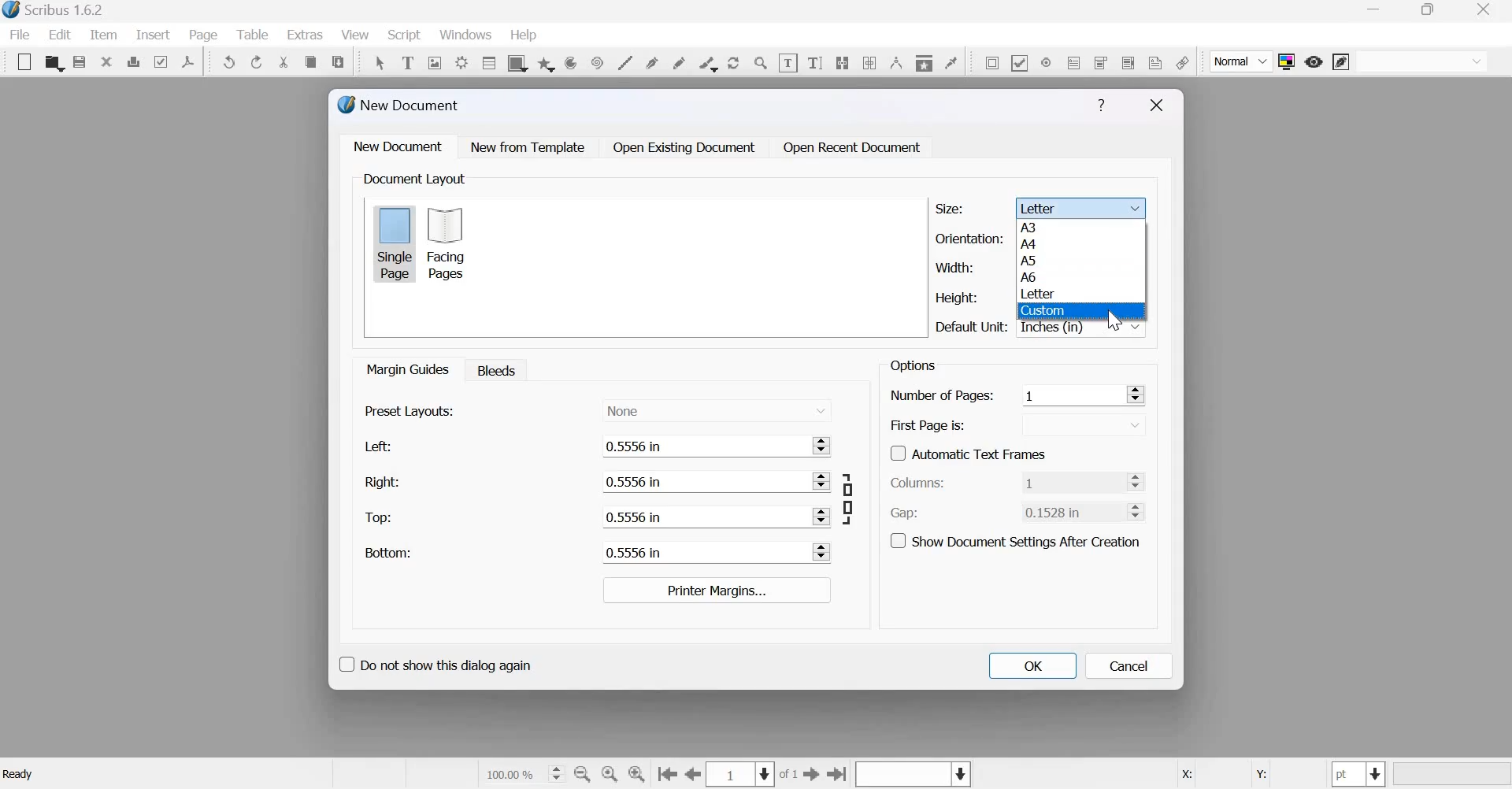  What do you see at coordinates (204, 35) in the screenshot?
I see `page` at bounding box center [204, 35].